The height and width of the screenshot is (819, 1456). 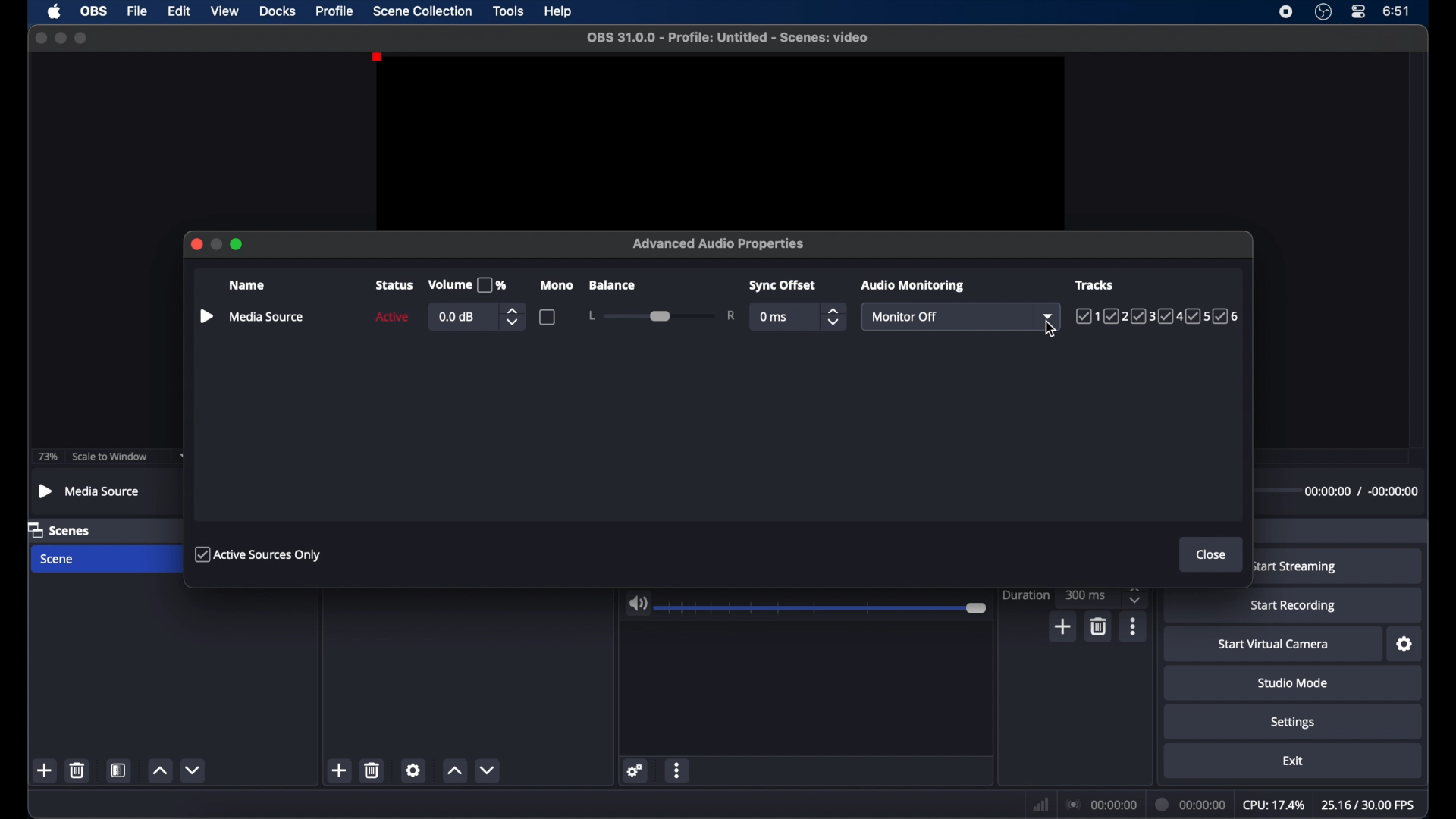 I want to click on slider, so click(x=824, y=608).